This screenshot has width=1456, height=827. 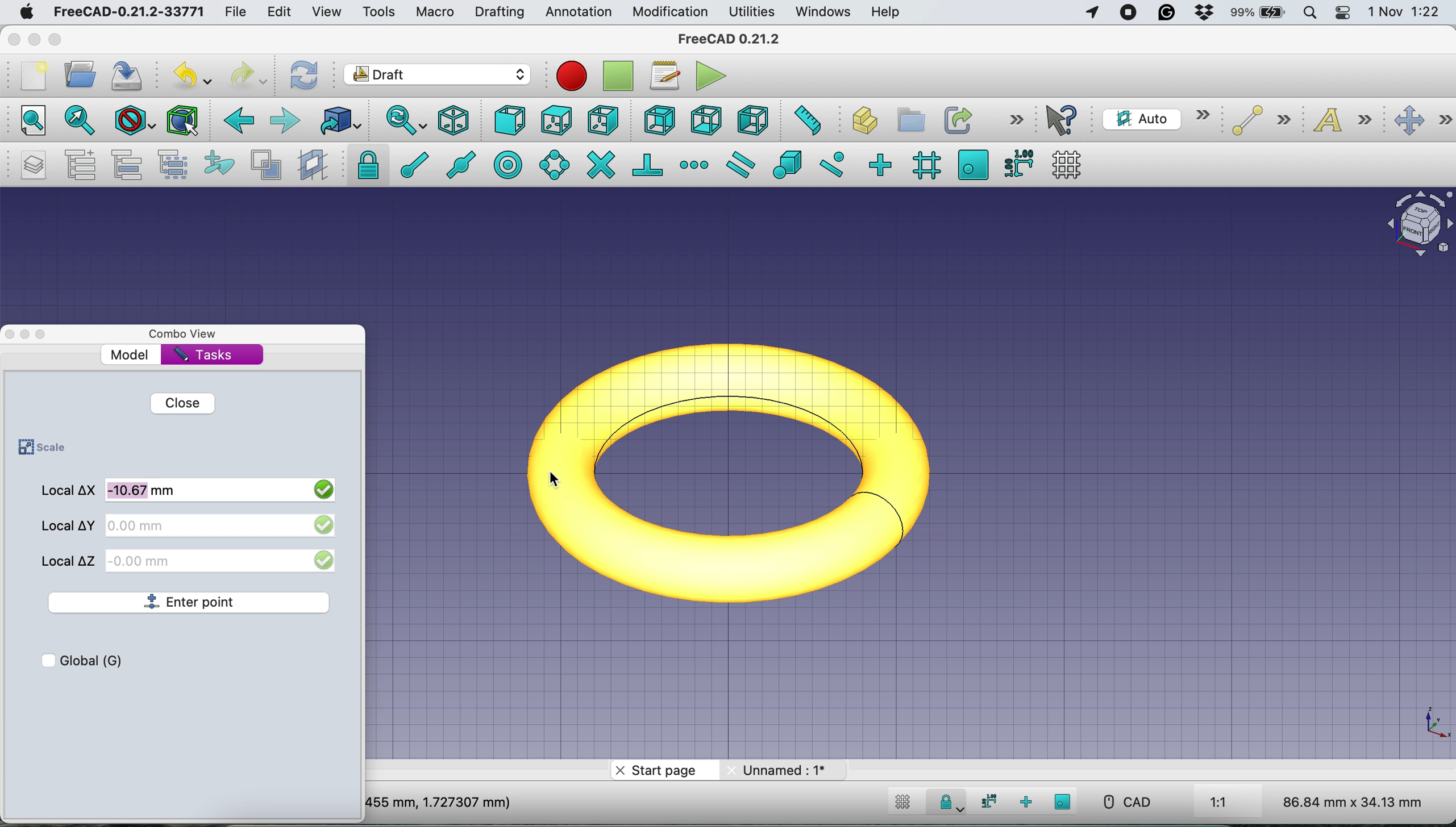 I want to click on snap working plane, so click(x=973, y=164).